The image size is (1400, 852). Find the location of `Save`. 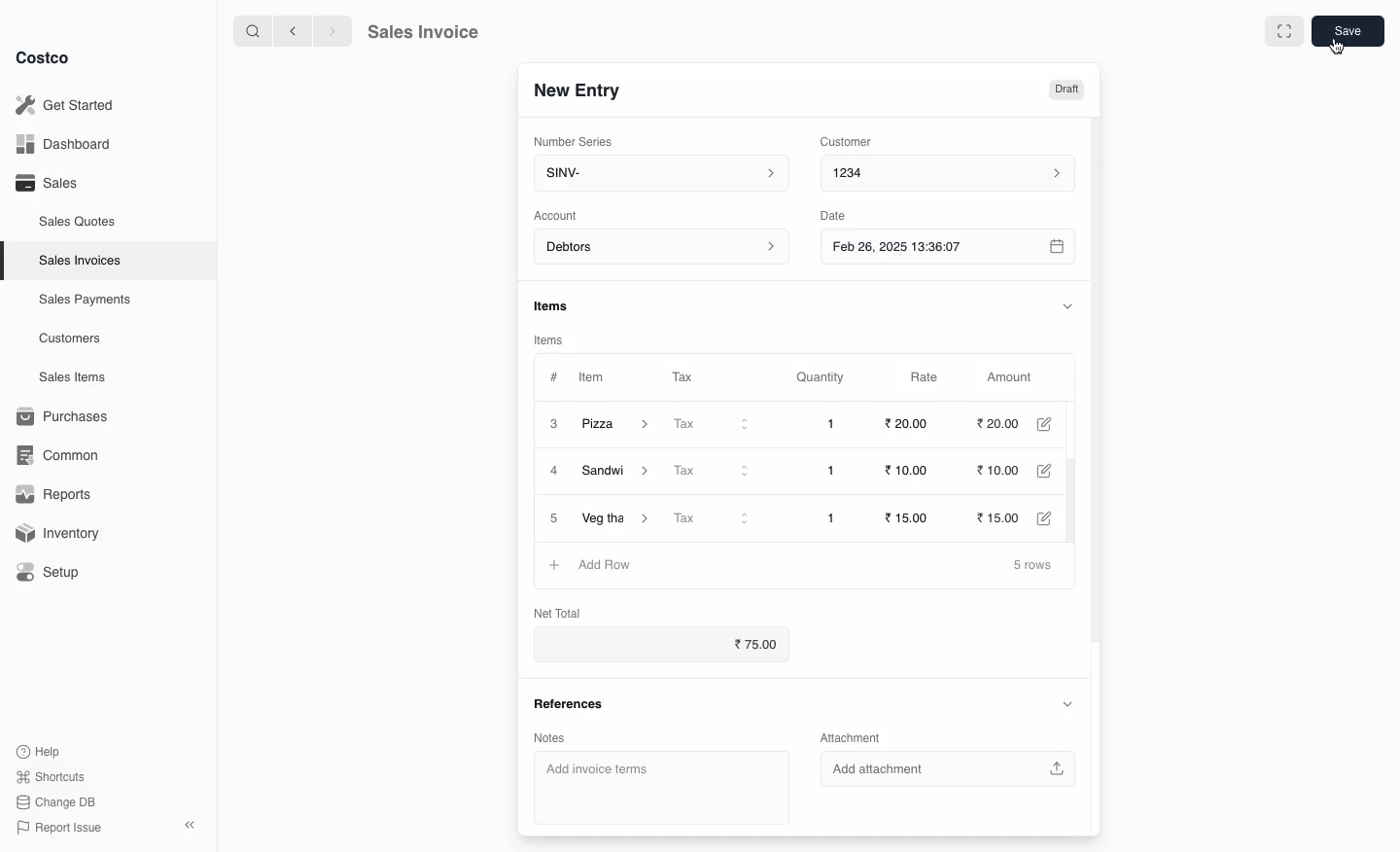

Save is located at coordinates (1350, 33).